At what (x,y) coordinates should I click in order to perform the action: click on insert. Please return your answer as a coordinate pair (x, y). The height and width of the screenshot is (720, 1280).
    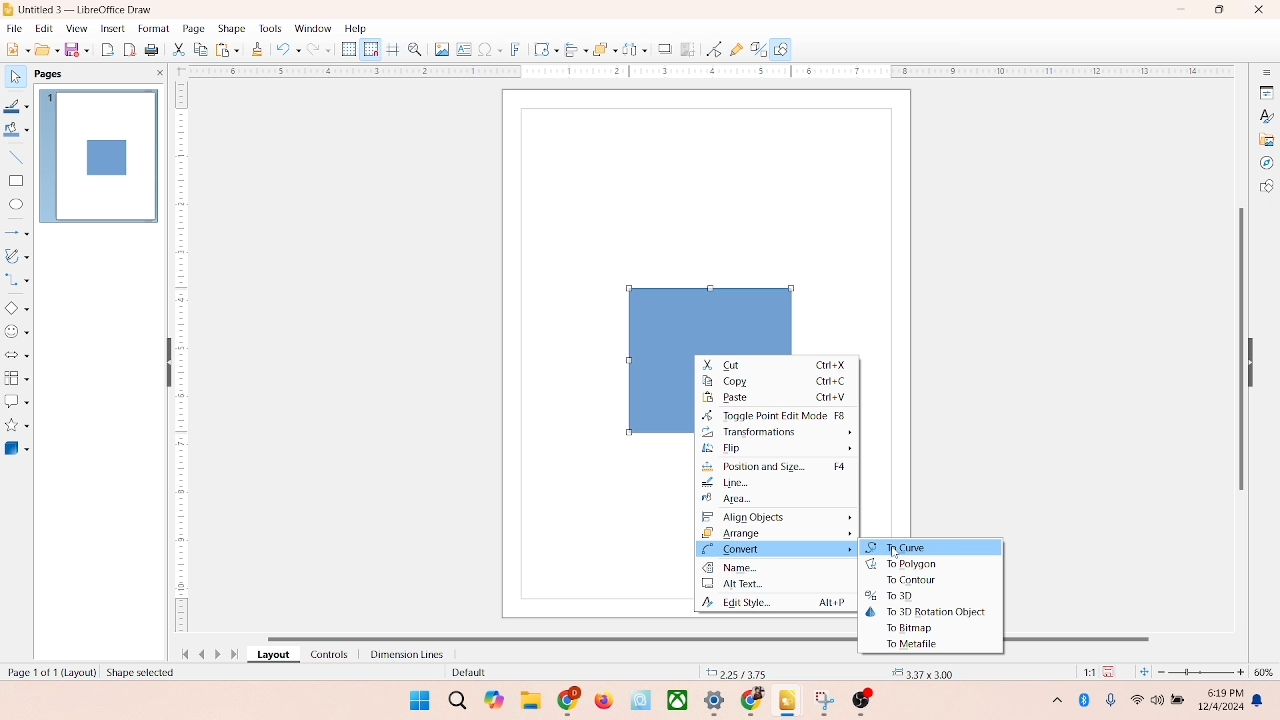
    Looking at the image, I should click on (111, 28).